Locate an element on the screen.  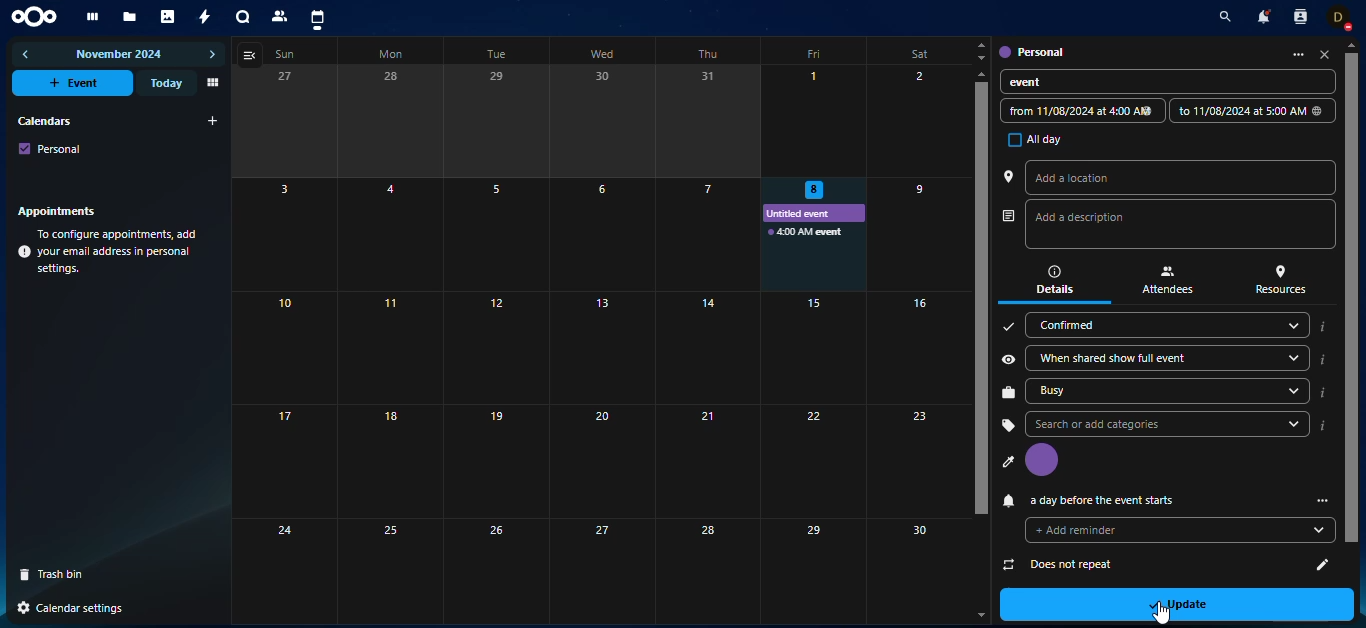
26 is located at coordinates (494, 571).